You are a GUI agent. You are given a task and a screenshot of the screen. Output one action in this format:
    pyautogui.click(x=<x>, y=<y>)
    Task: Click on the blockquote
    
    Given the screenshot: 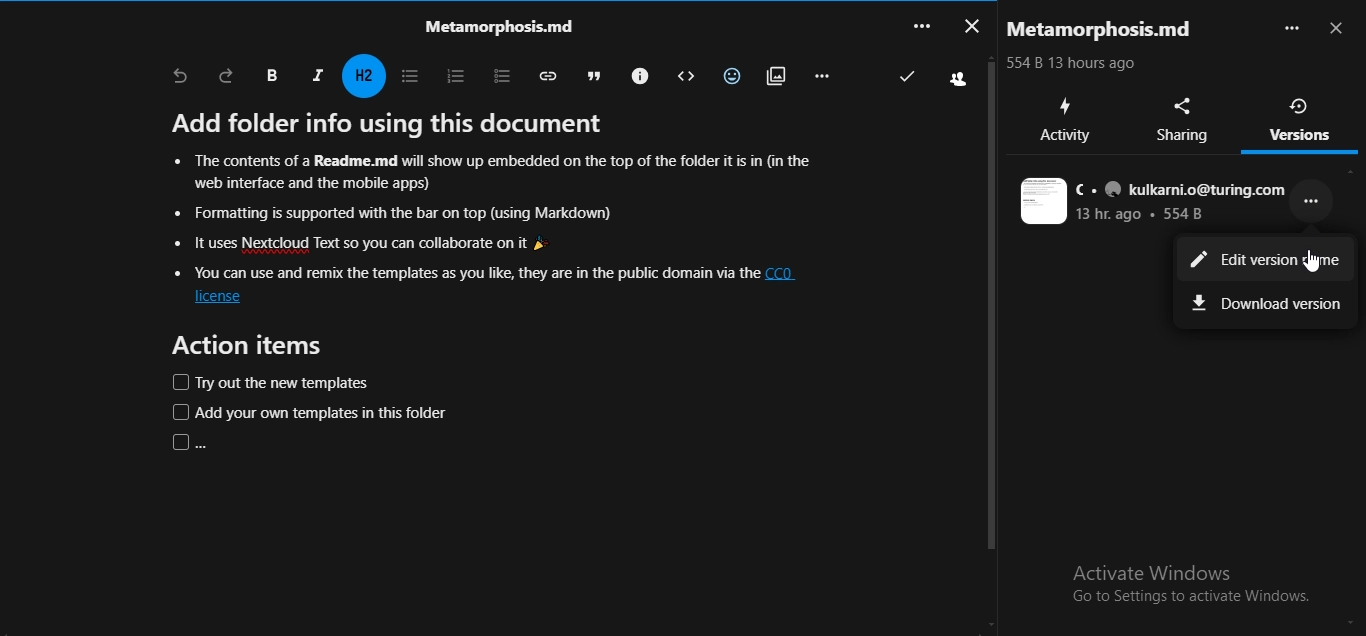 What is the action you would take?
    pyautogui.click(x=589, y=74)
    